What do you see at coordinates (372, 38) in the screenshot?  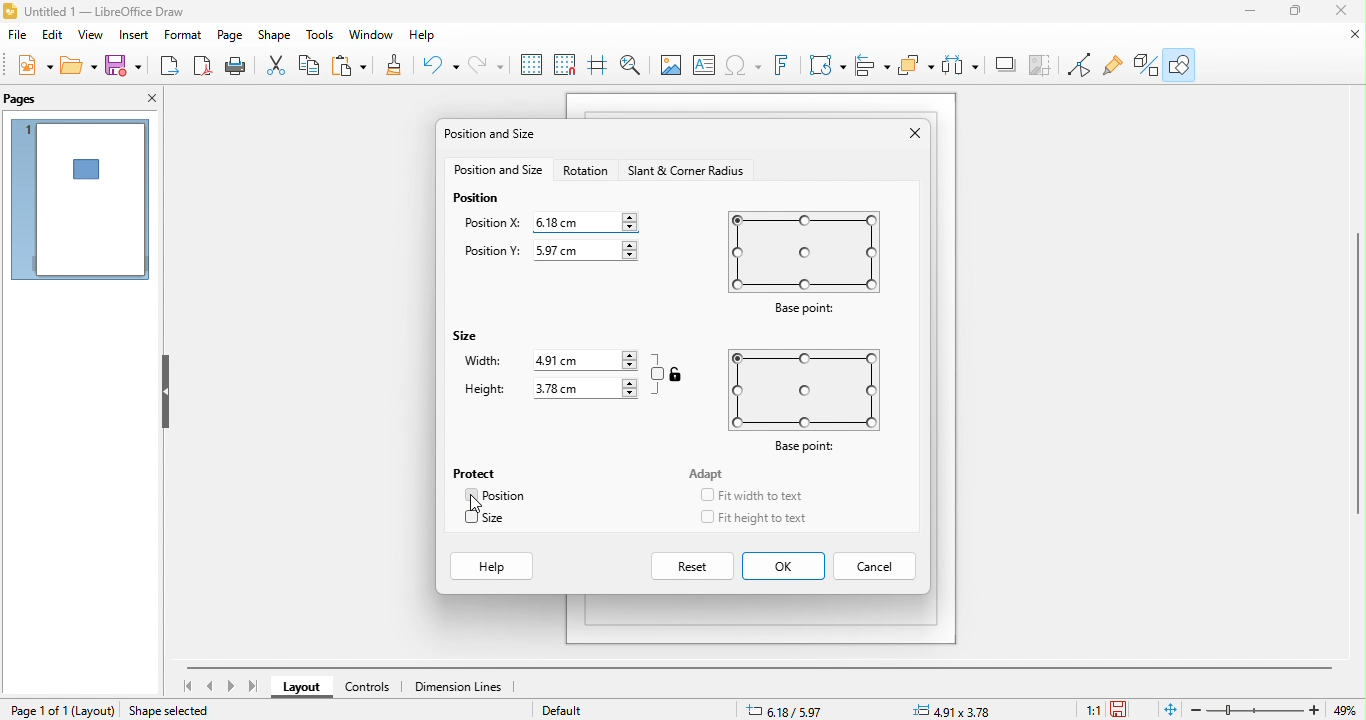 I see `window` at bounding box center [372, 38].